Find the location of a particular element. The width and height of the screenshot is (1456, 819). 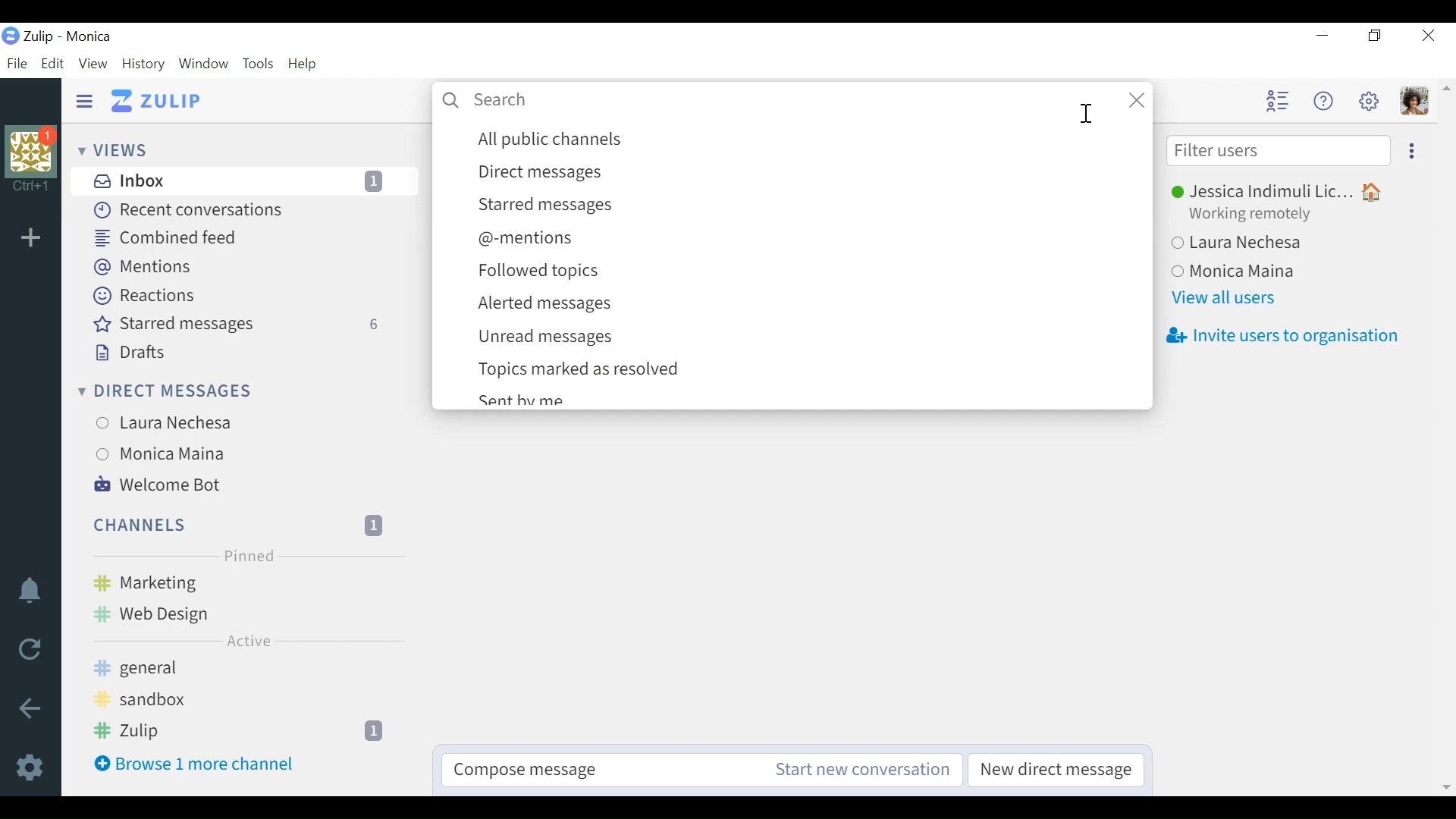

Compose message Start new conversation is located at coordinates (701, 770).